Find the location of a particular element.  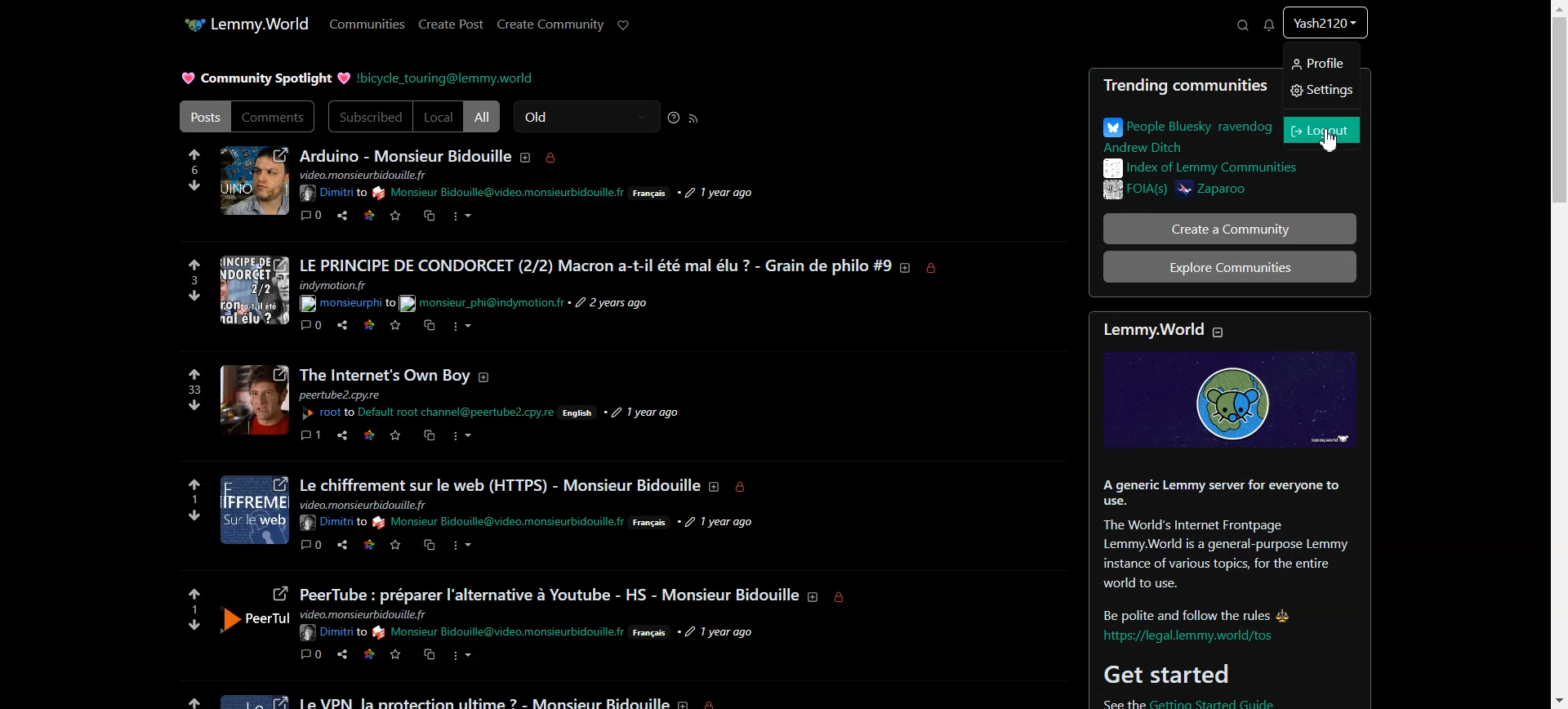

Link is located at coordinates (368, 216).